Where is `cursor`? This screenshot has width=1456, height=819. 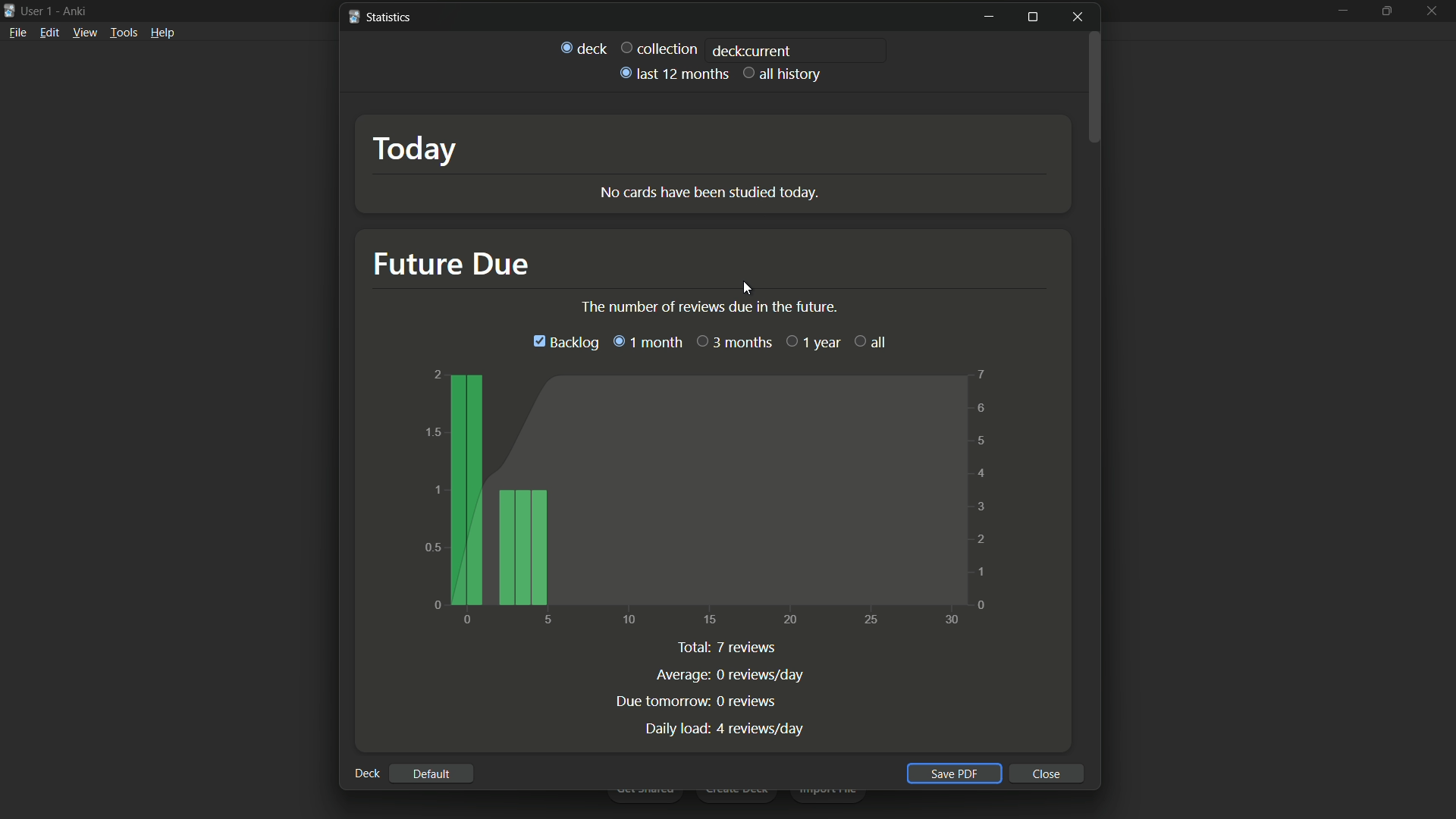
cursor is located at coordinates (742, 287).